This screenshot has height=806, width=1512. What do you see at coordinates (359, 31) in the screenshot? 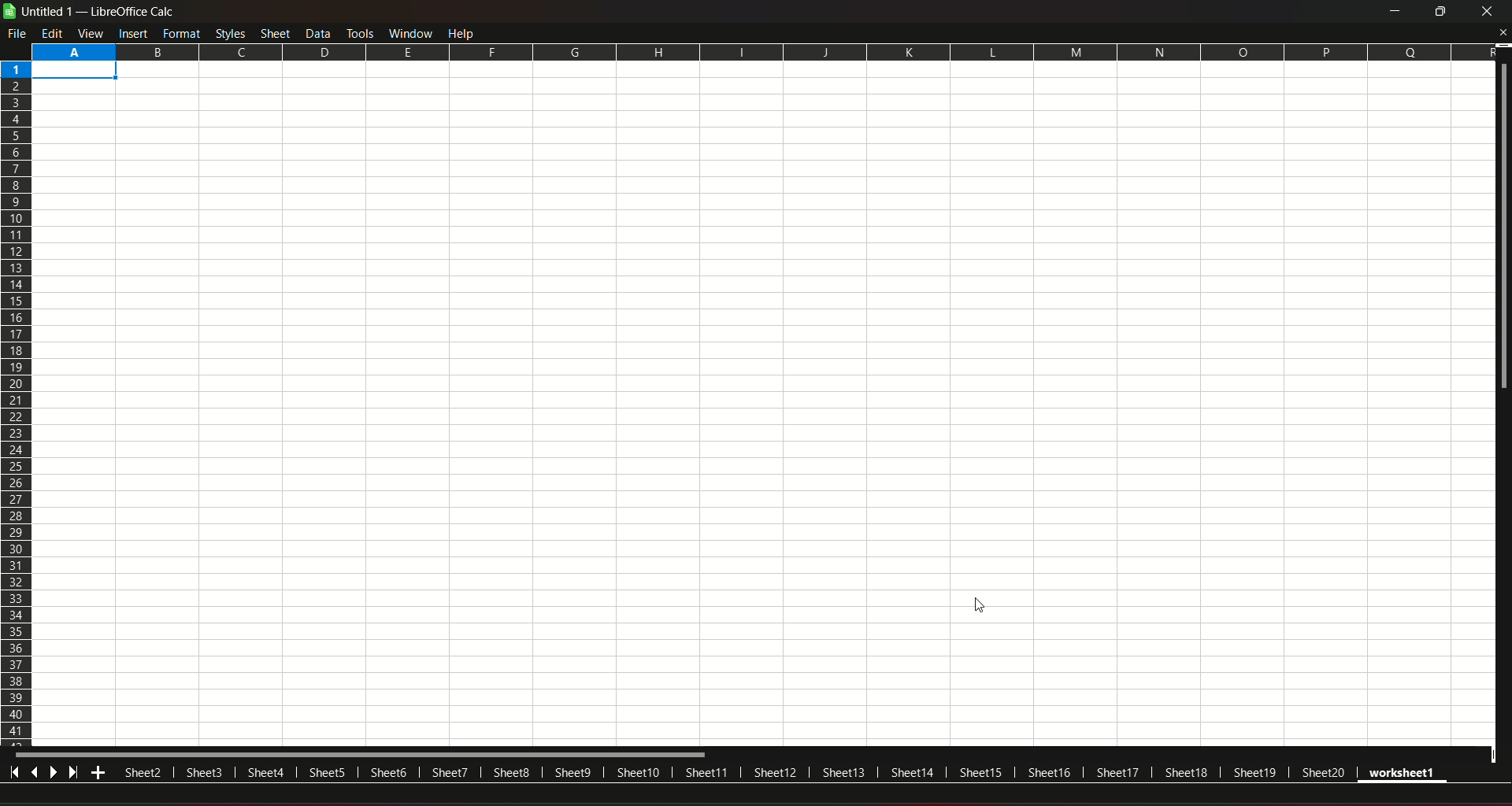
I see `Tools` at bounding box center [359, 31].